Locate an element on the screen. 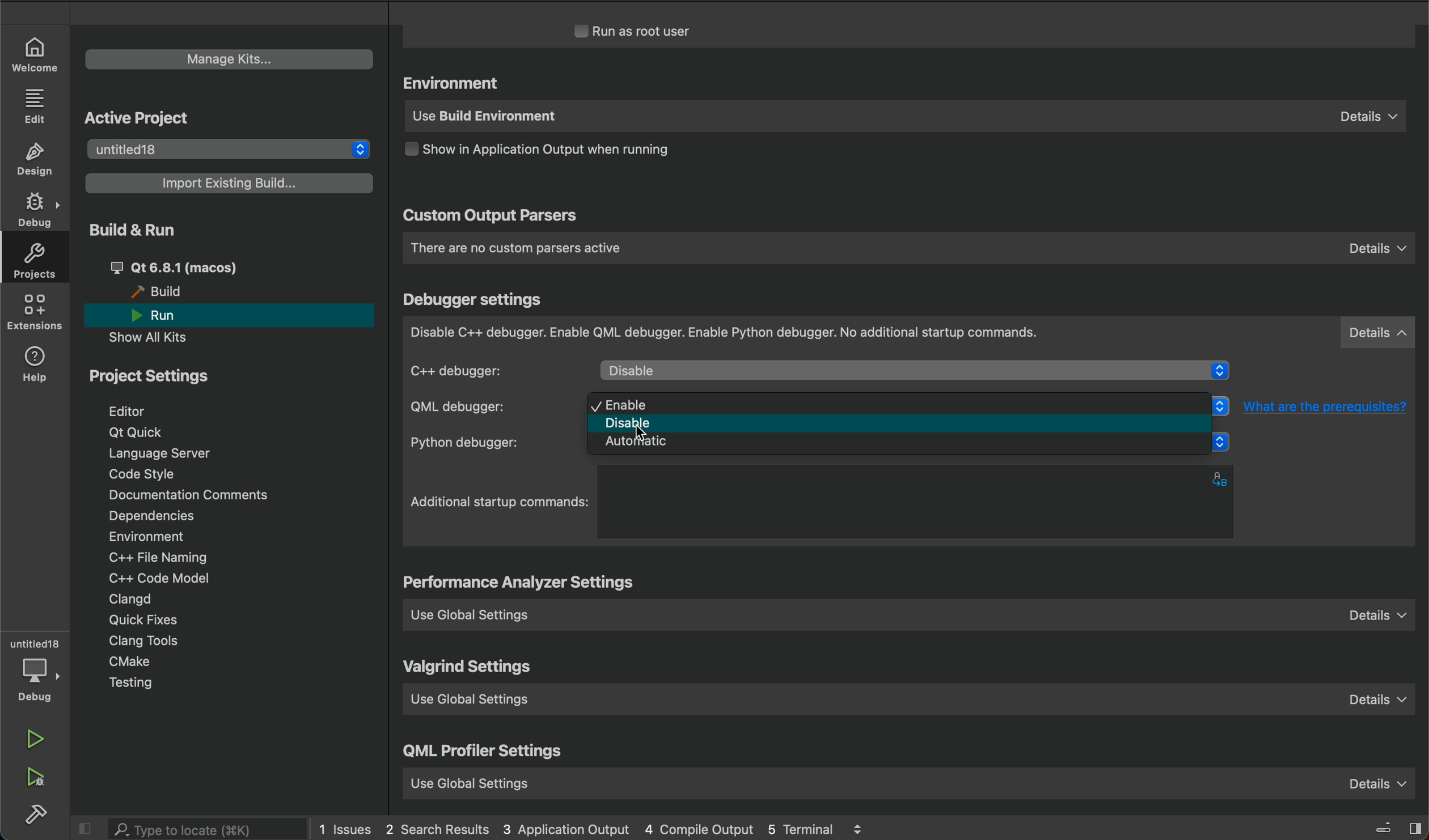 The height and width of the screenshot is (840, 1429). editor is located at coordinates (130, 411).